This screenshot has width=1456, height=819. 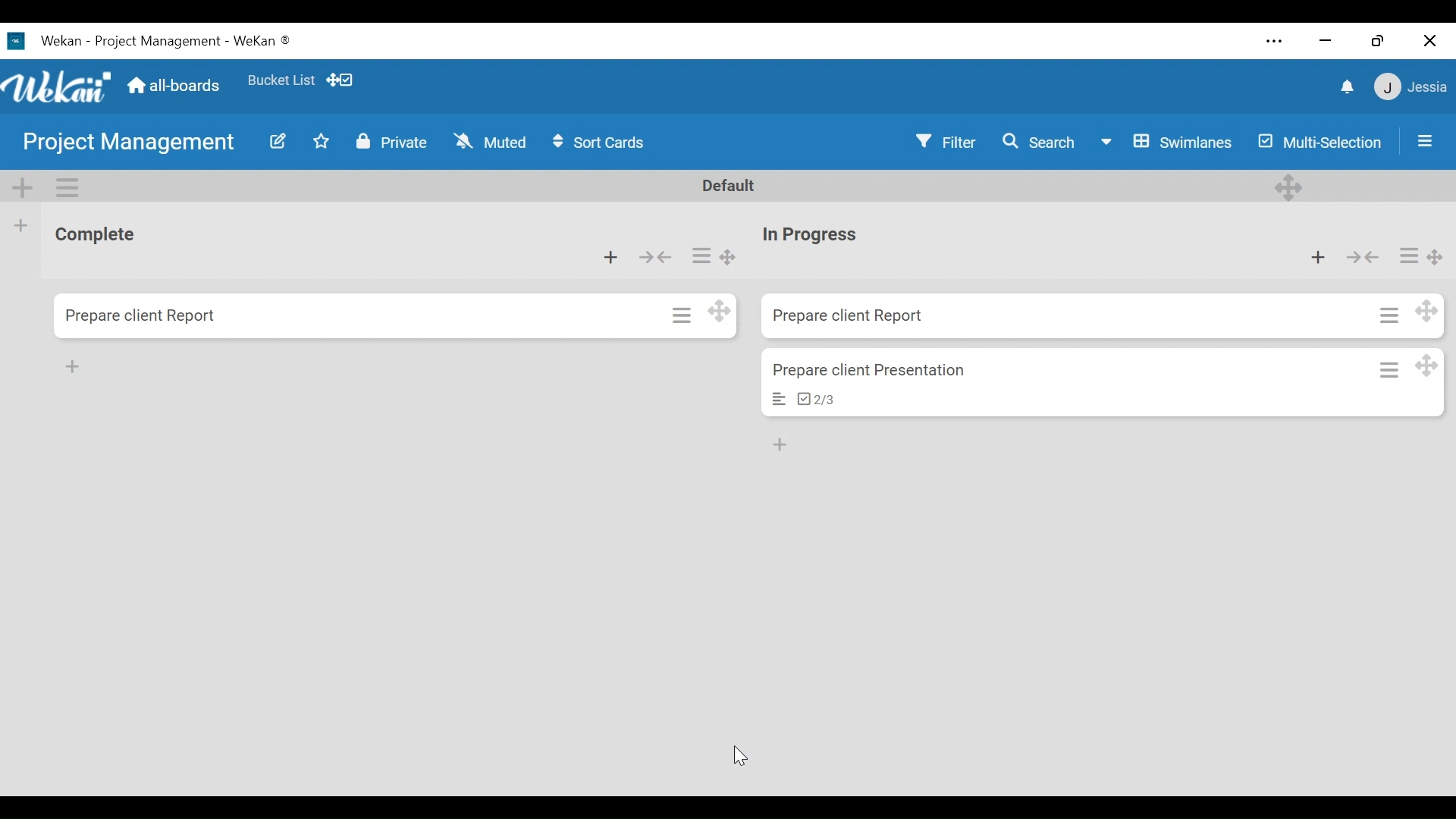 I want to click on Sort Cards, so click(x=598, y=142).